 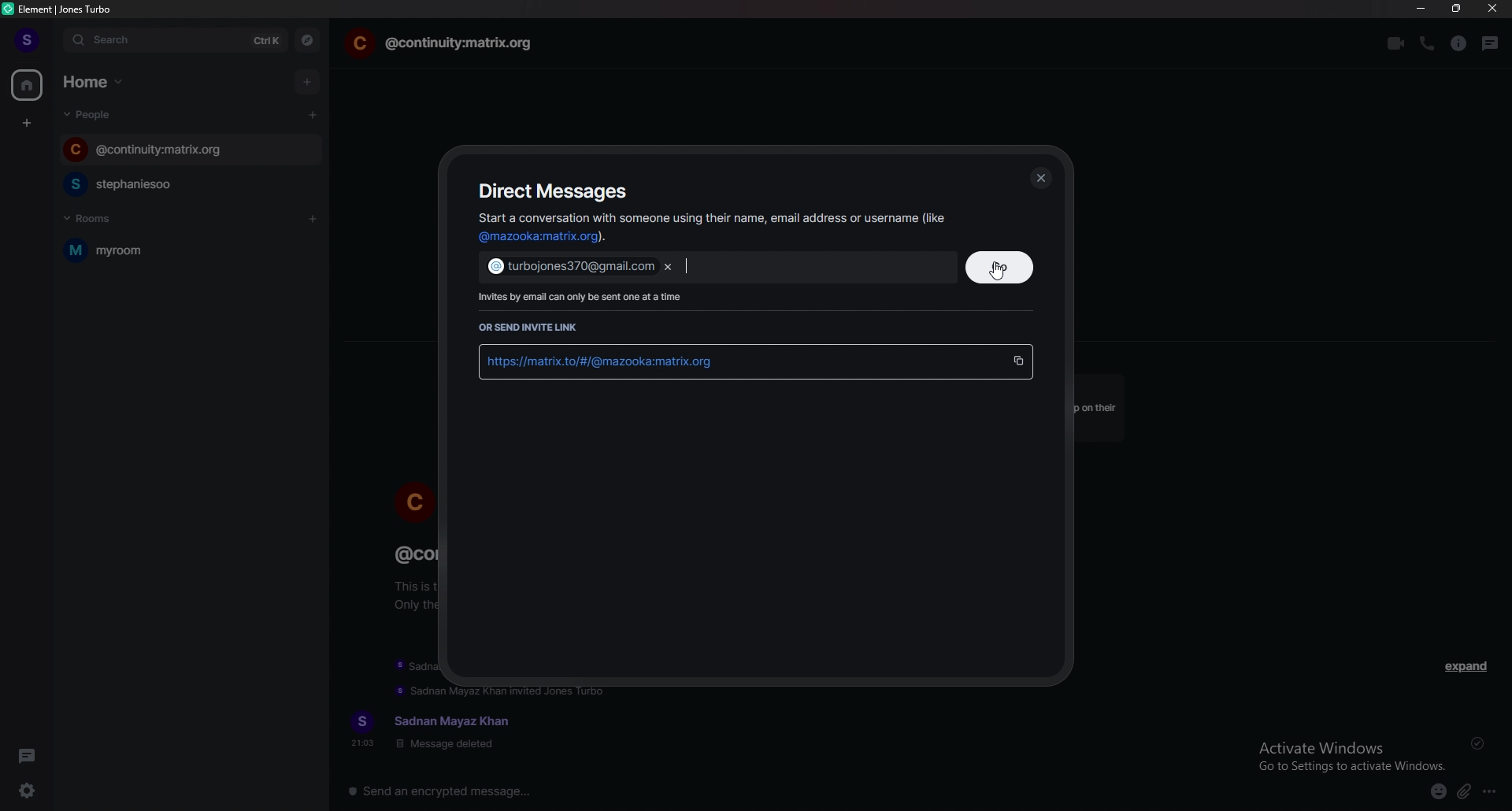 I want to click on element, so click(x=65, y=9).